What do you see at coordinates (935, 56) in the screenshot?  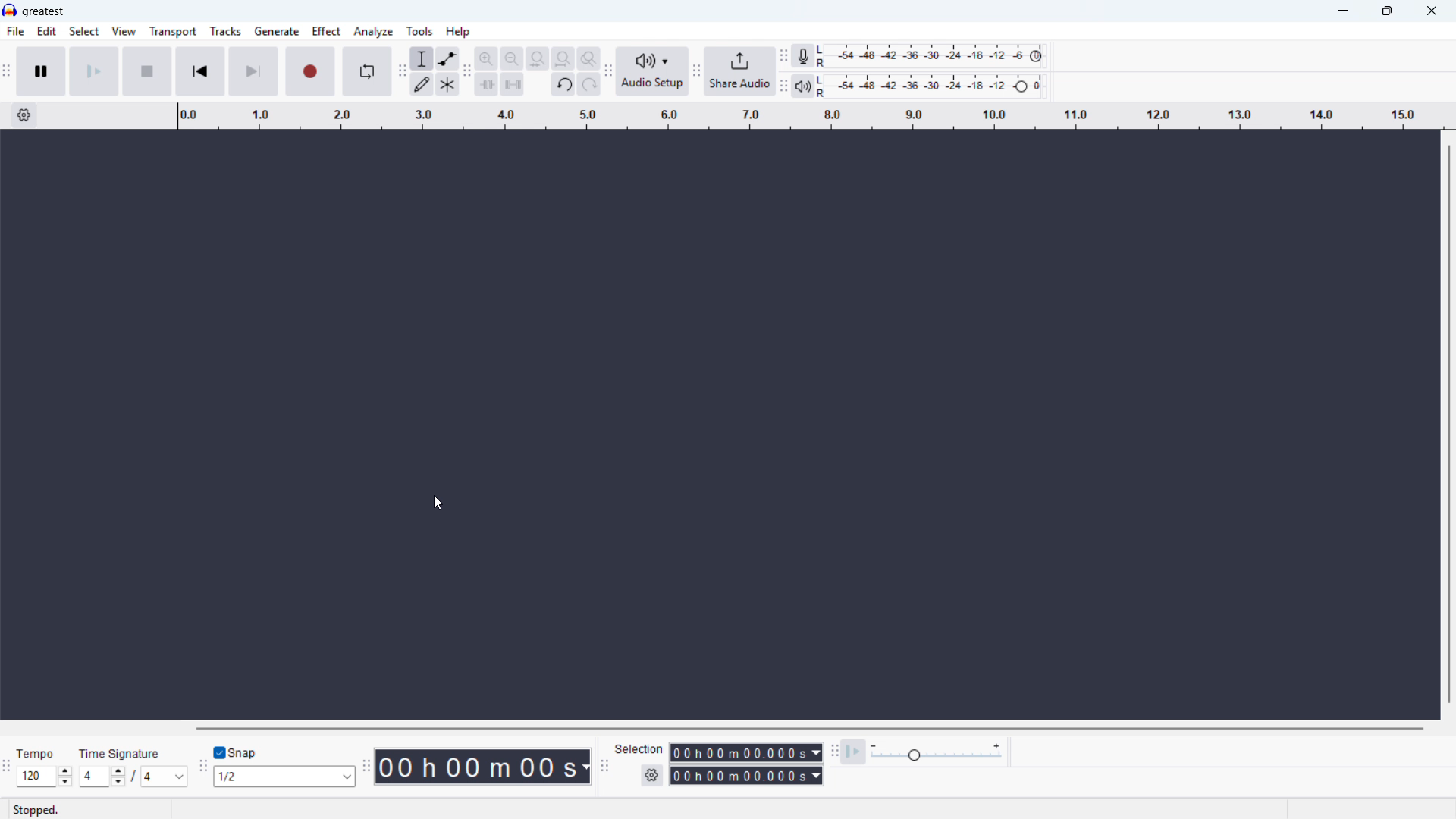 I see `Recording level` at bounding box center [935, 56].